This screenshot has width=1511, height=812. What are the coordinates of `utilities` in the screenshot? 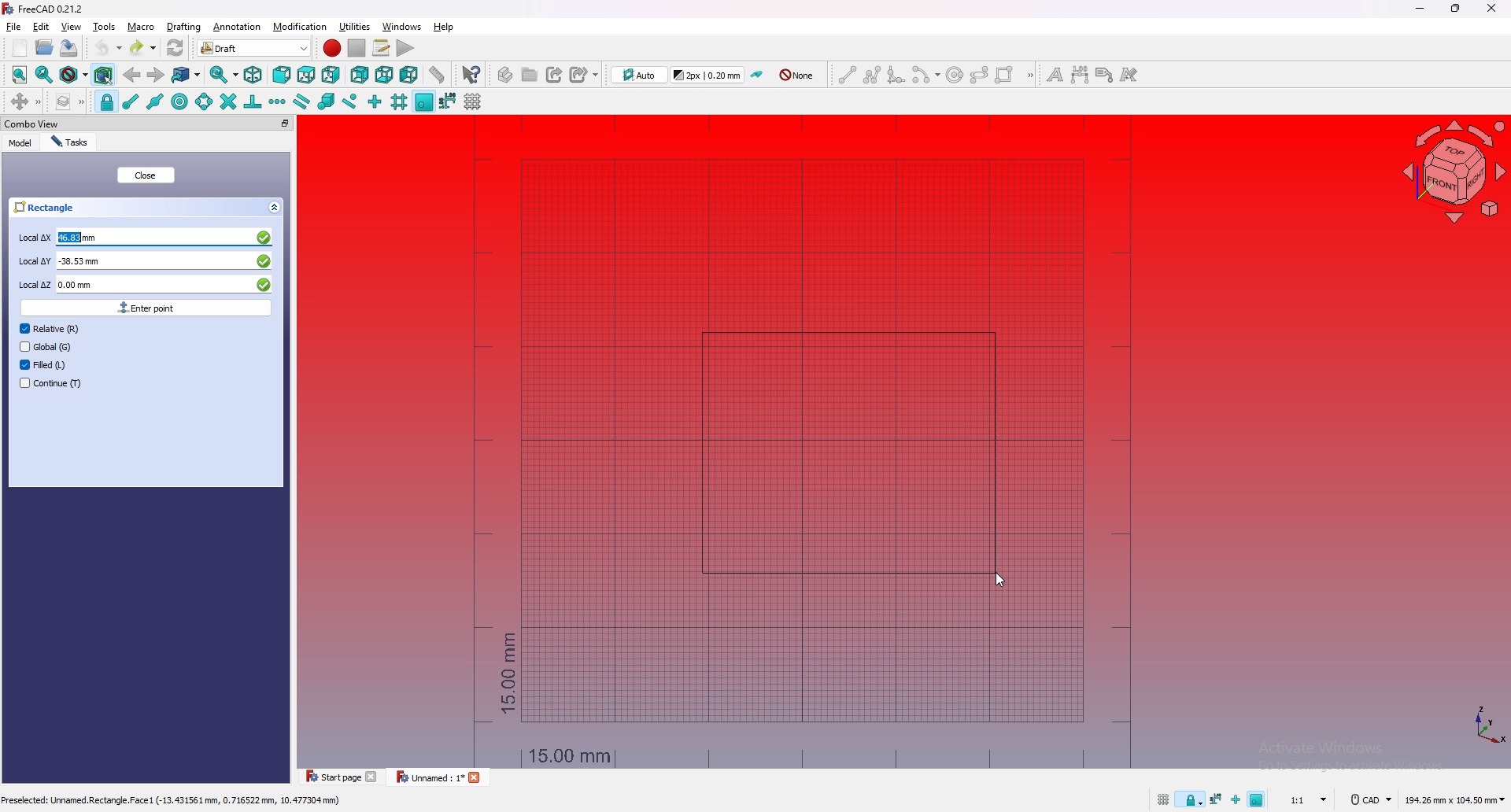 It's located at (355, 26).